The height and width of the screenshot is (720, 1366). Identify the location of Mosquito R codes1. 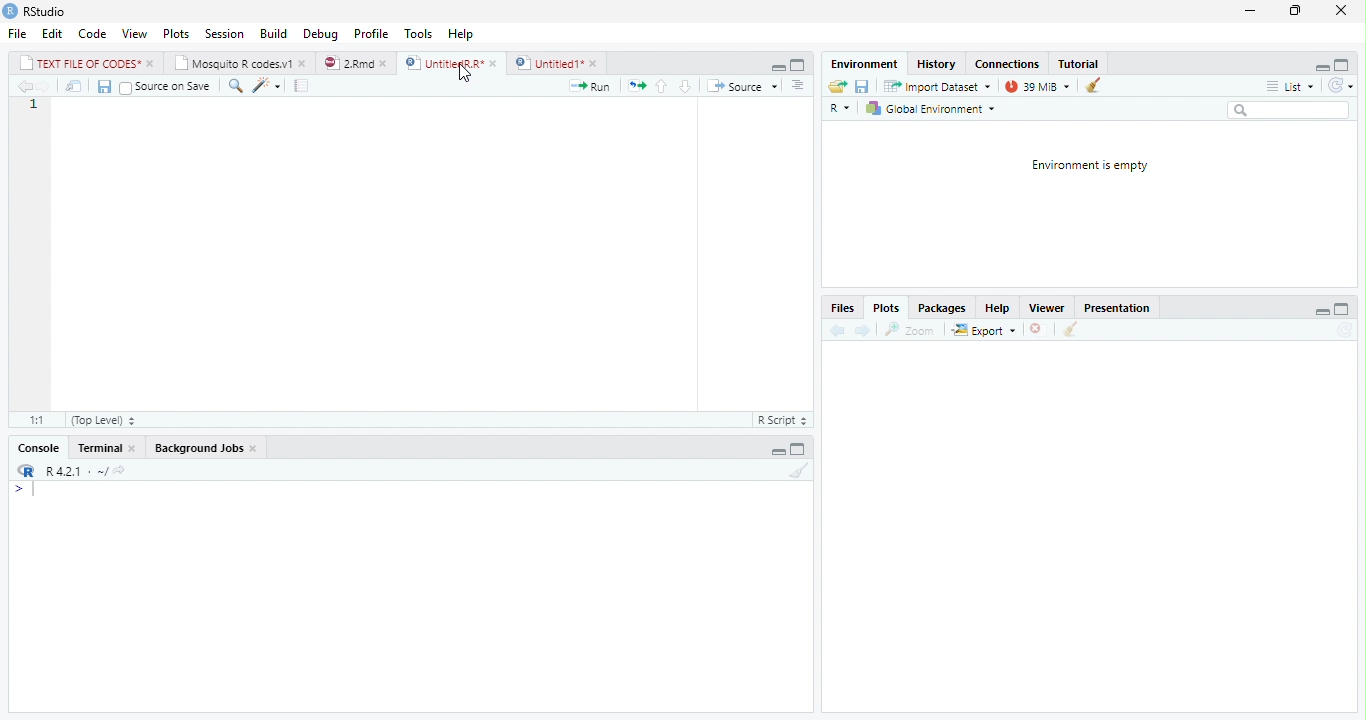
(241, 63).